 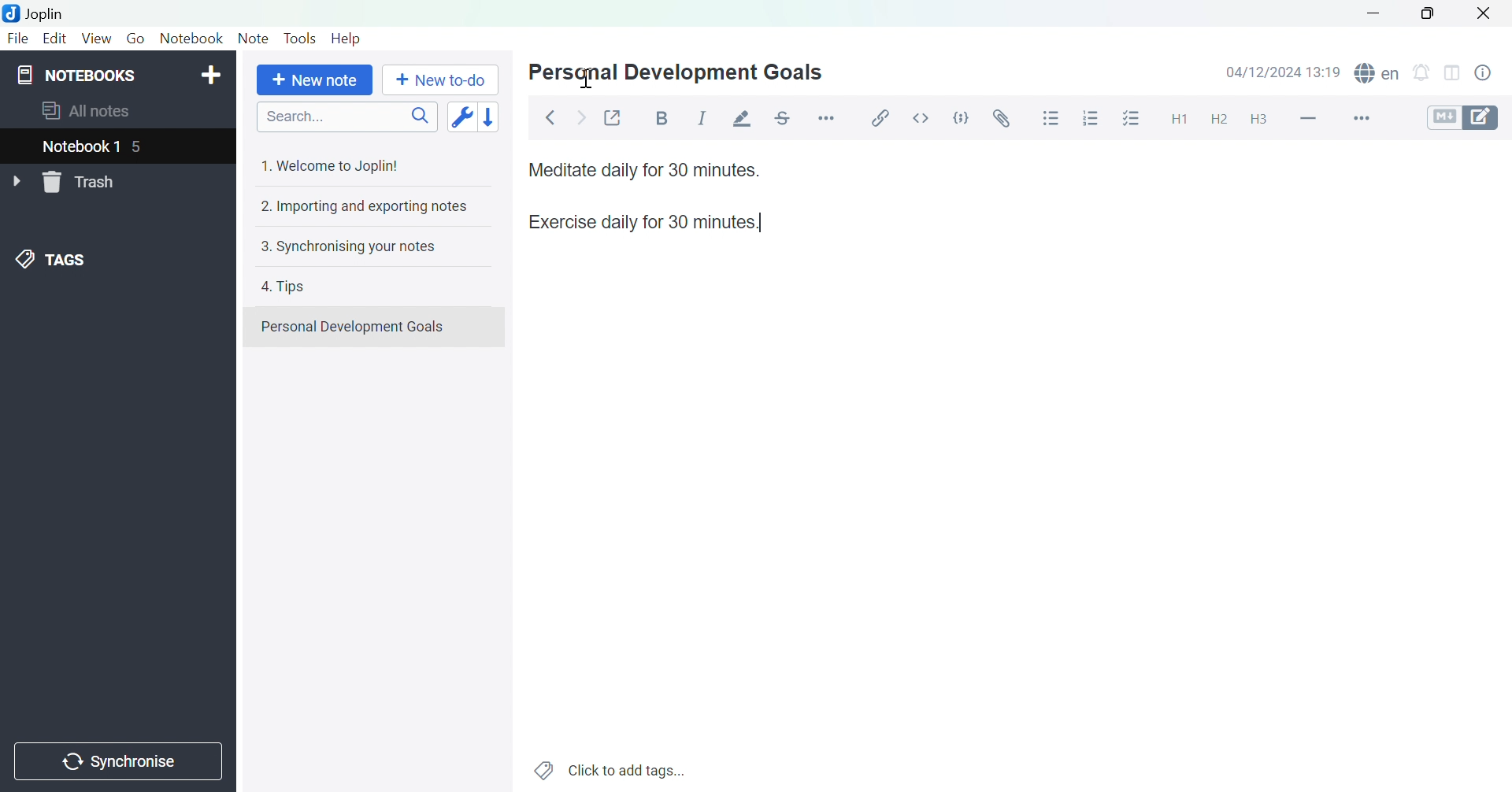 I want to click on Inline code, so click(x=919, y=120).